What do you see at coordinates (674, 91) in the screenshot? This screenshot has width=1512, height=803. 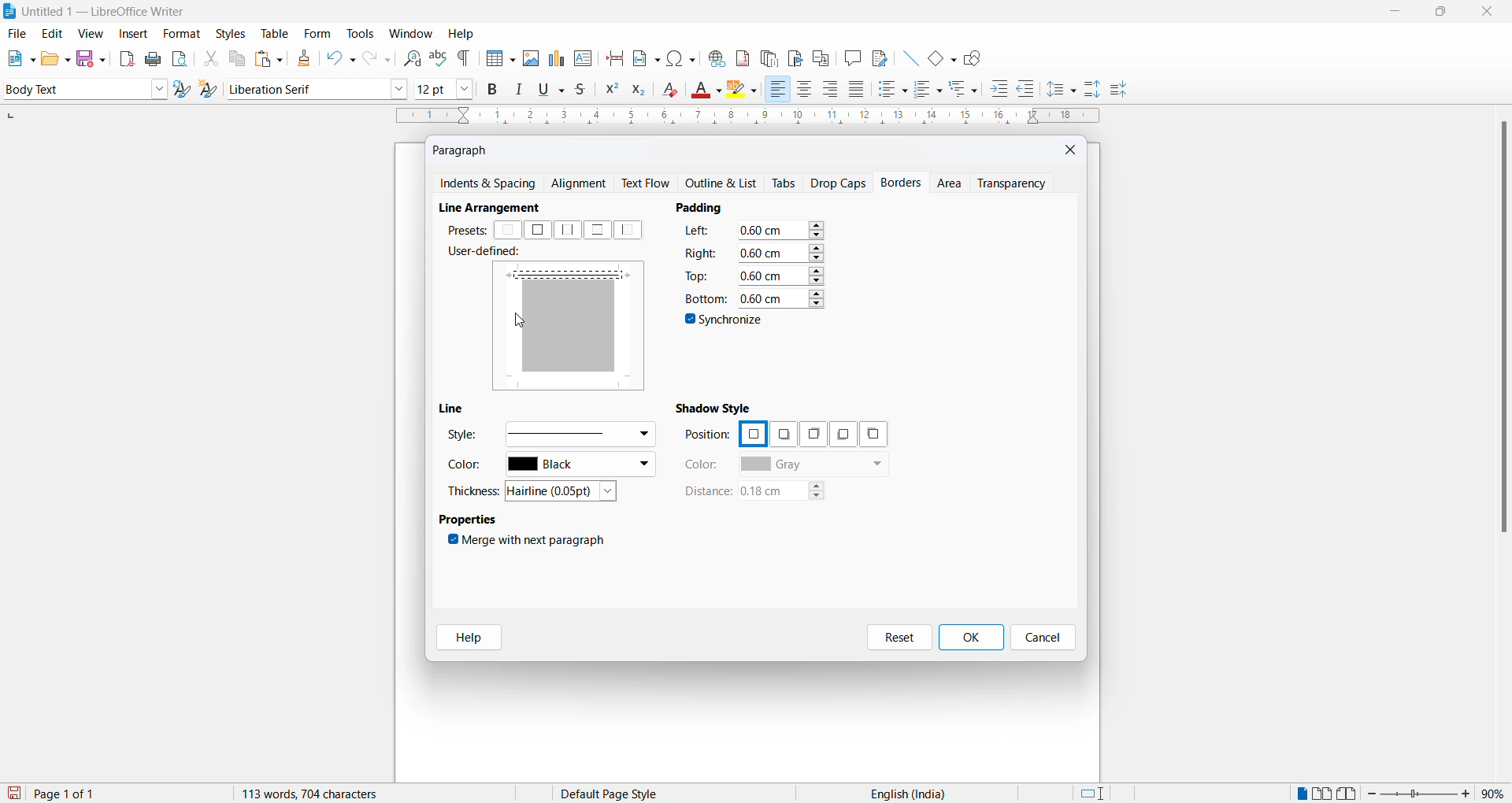 I see `clear direct formatting` at bounding box center [674, 91].